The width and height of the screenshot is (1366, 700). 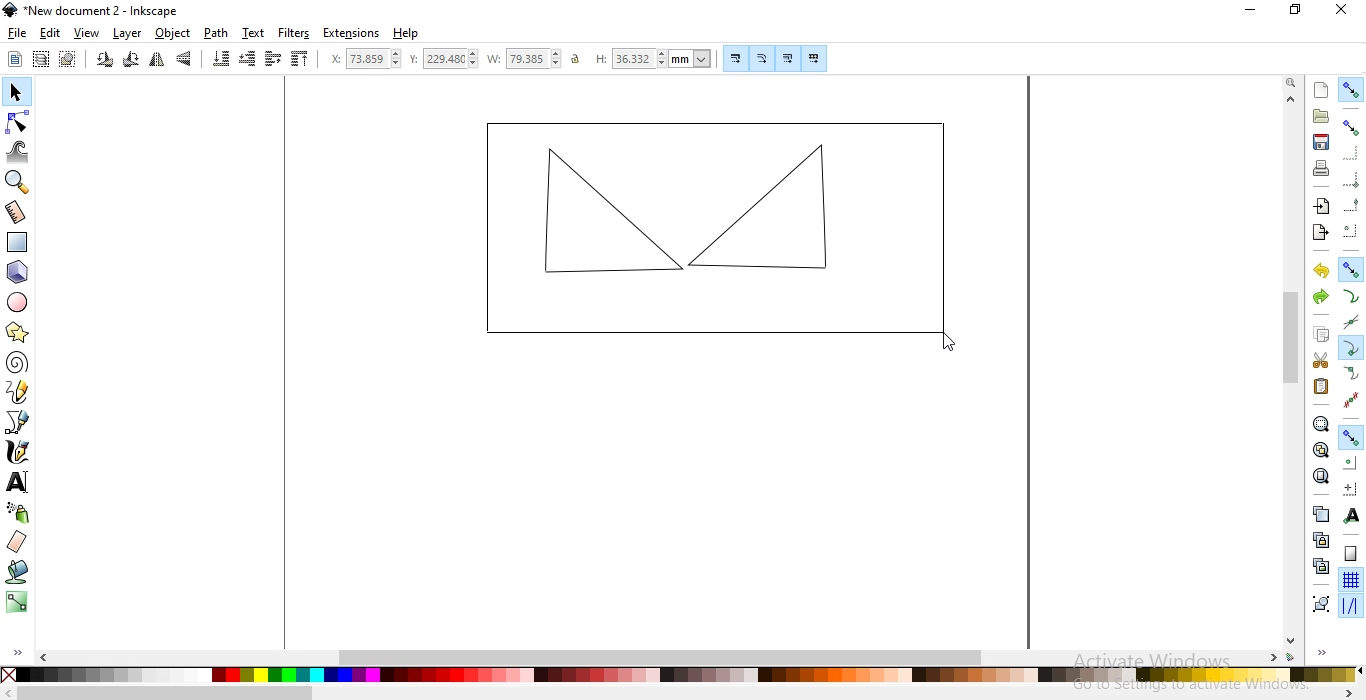 What do you see at coordinates (1320, 513) in the screenshot?
I see `duplicate selected objects` at bounding box center [1320, 513].